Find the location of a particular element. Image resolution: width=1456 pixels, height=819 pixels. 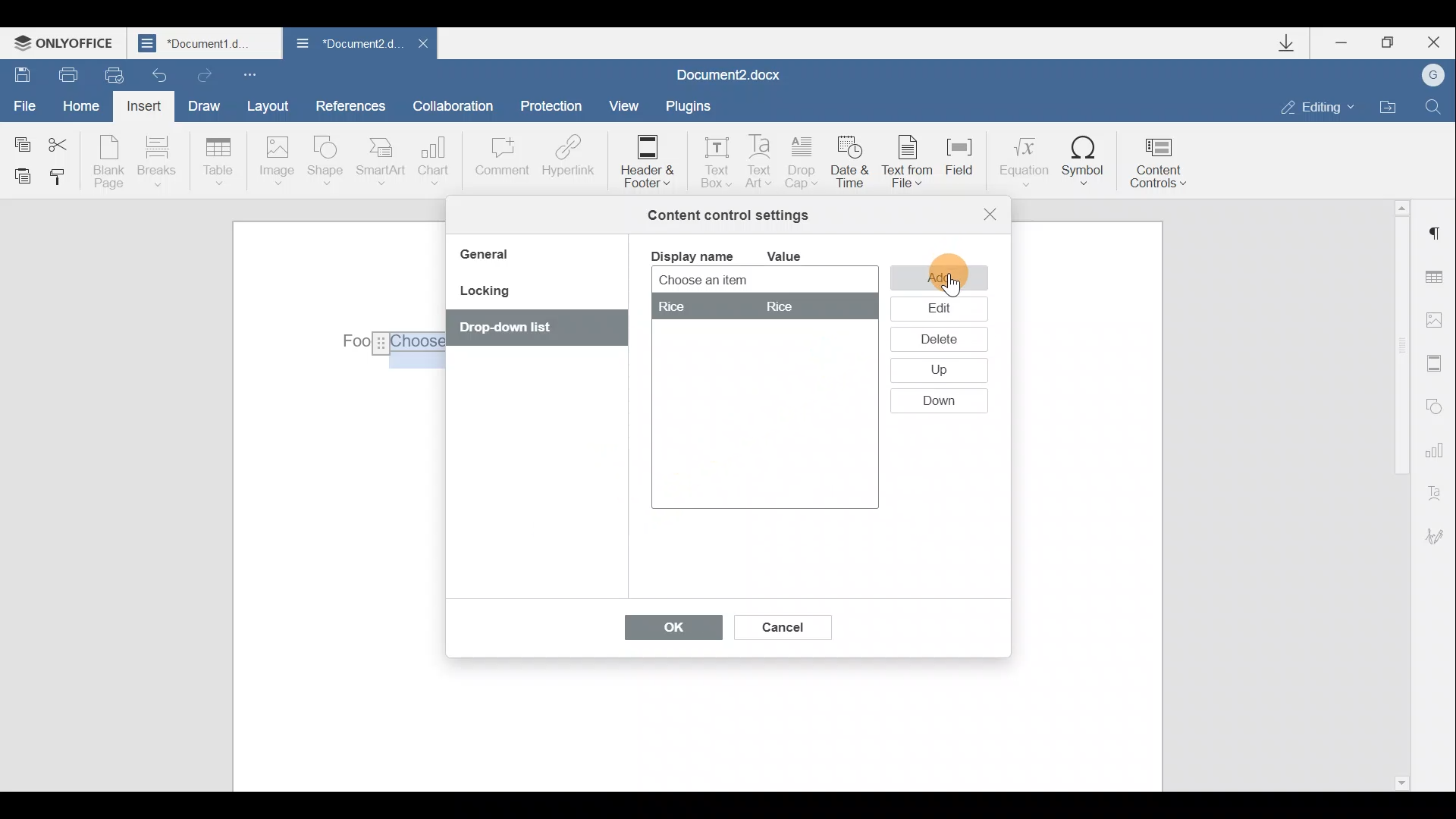

Delete is located at coordinates (936, 342).